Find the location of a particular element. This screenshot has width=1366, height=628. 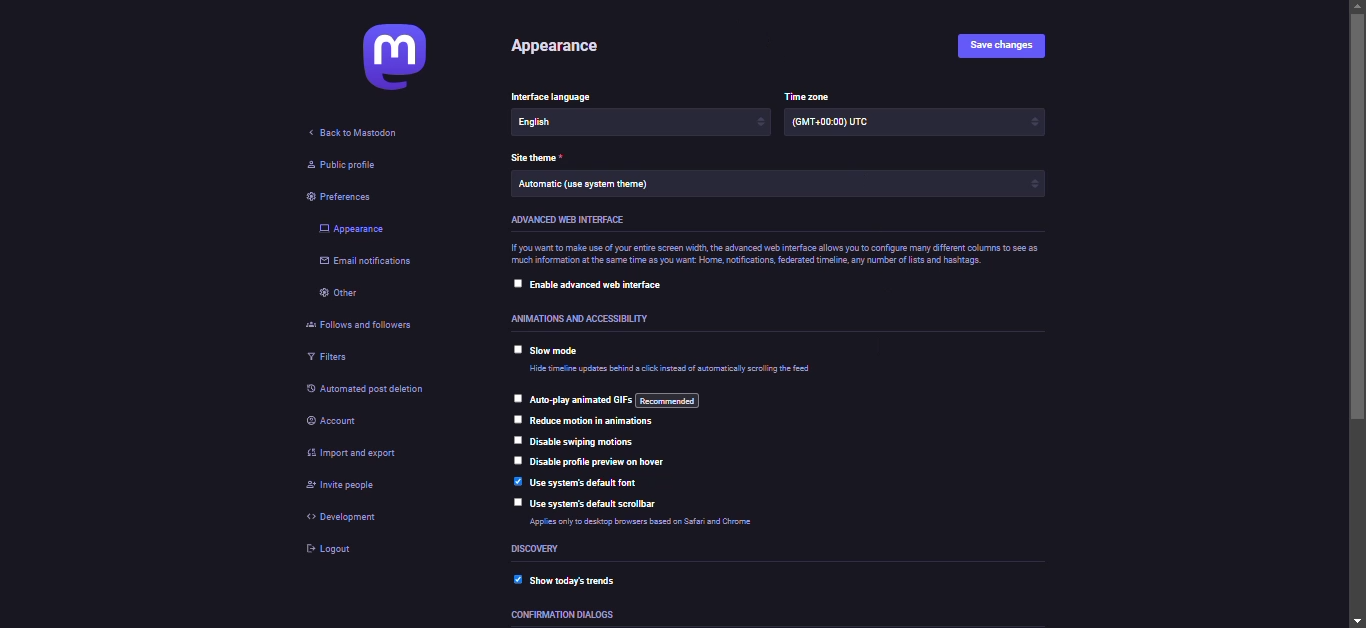

theme is located at coordinates (540, 156).